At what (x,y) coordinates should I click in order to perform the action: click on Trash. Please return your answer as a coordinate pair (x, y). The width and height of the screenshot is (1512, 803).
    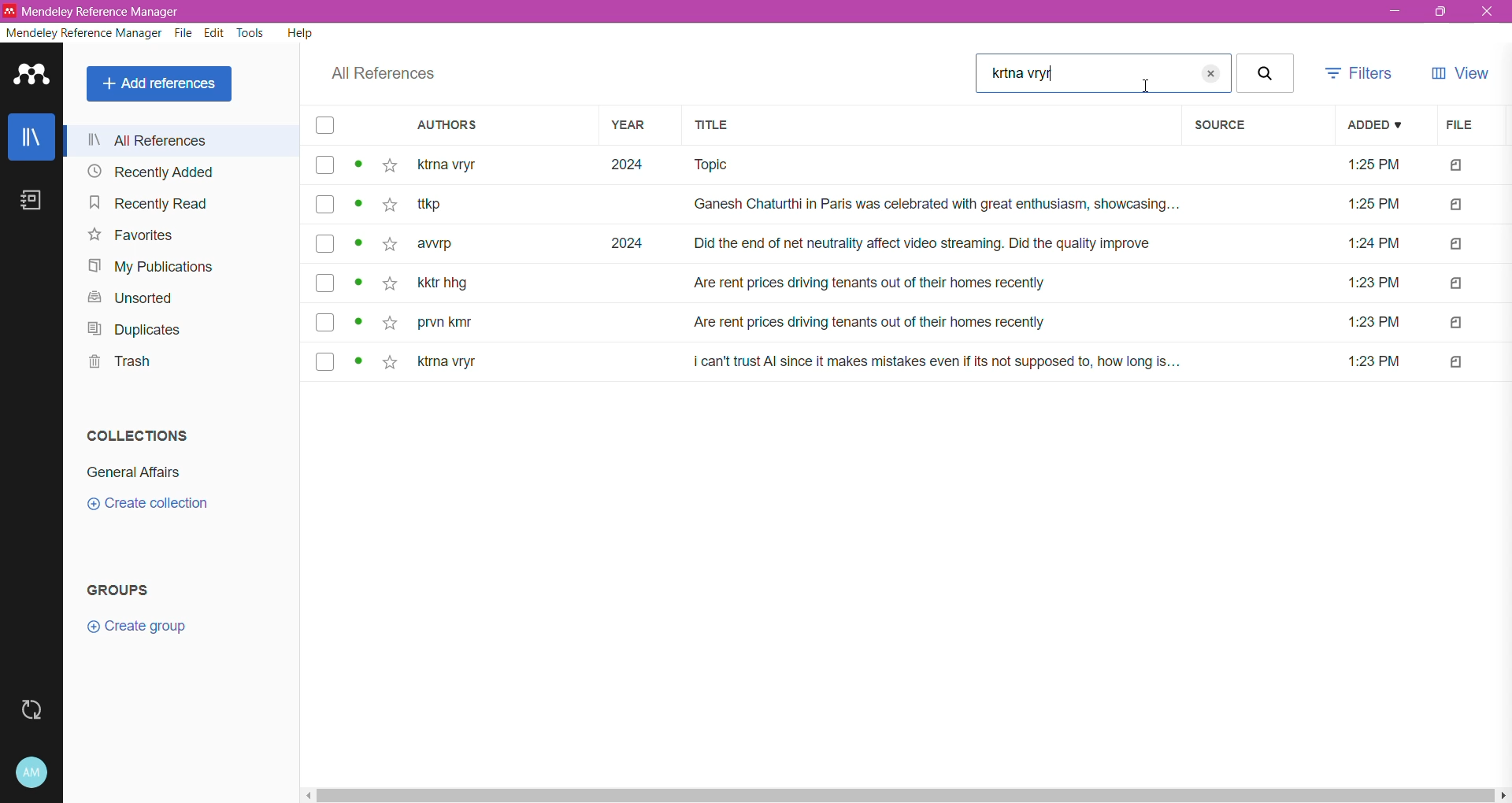
    Looking at the image, I should click on (118, 364).